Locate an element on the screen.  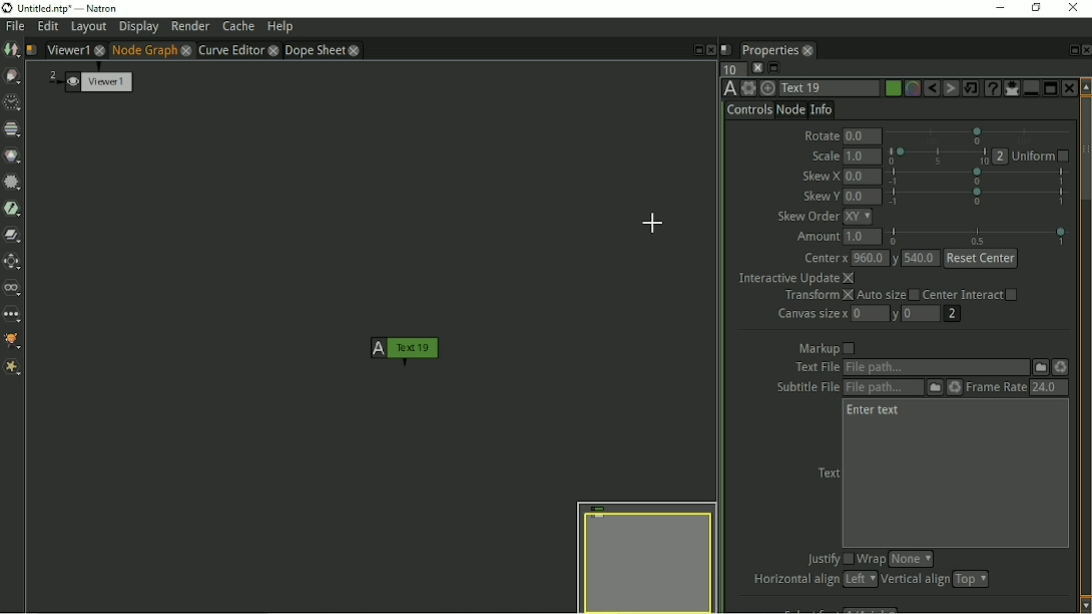
Justify is located at coordinates (828, 559).